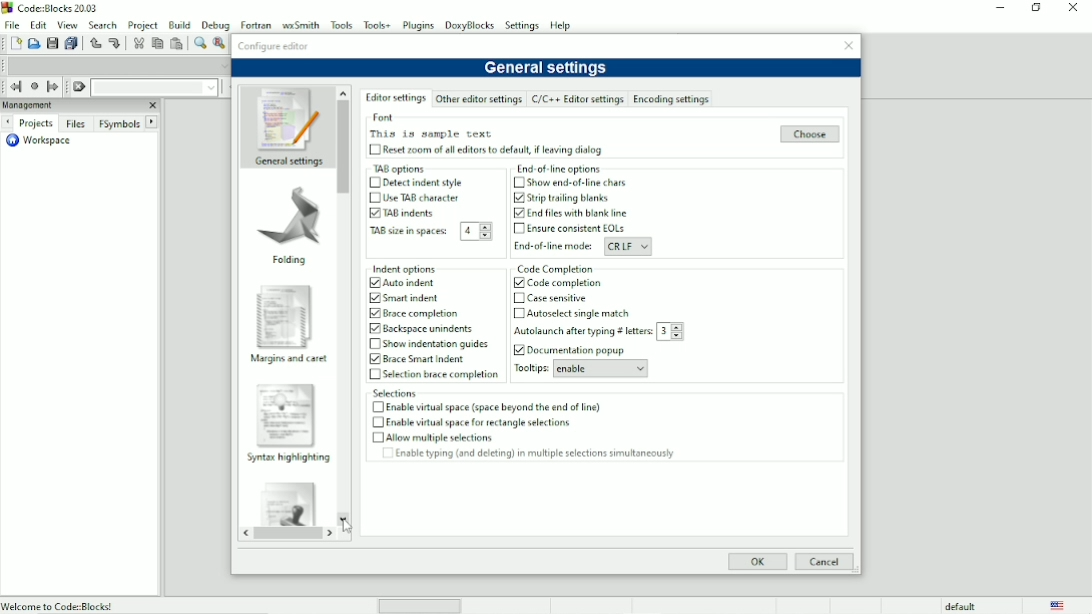 The image size is (1092, 614). What do you see at coordinates (484, 231) in the screenshot?
I see `Drop down` at bounding box center [484, 231].